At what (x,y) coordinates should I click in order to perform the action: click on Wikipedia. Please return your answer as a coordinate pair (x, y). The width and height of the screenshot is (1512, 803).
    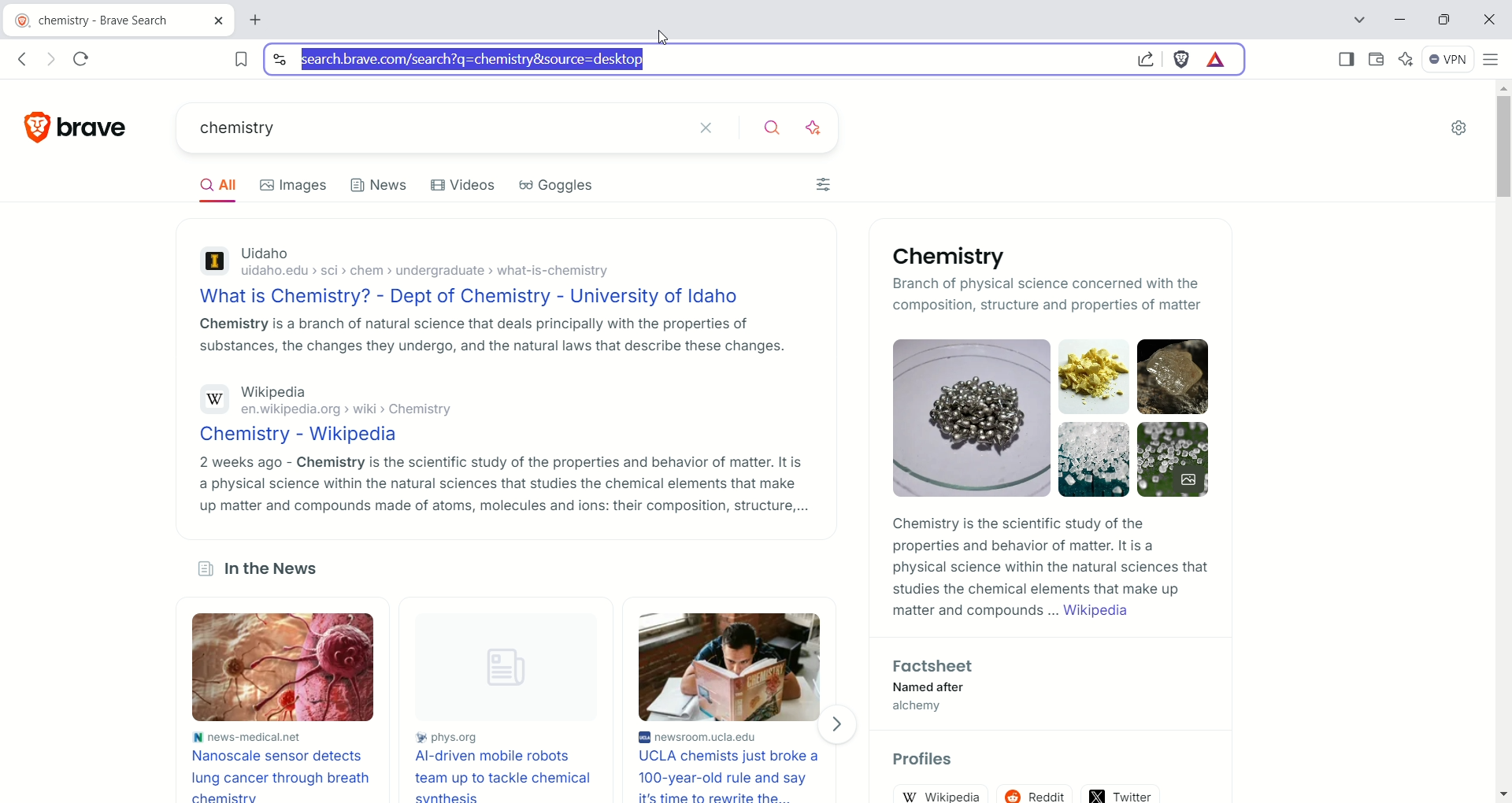
    Looking at the image, I should click on (275, 393).